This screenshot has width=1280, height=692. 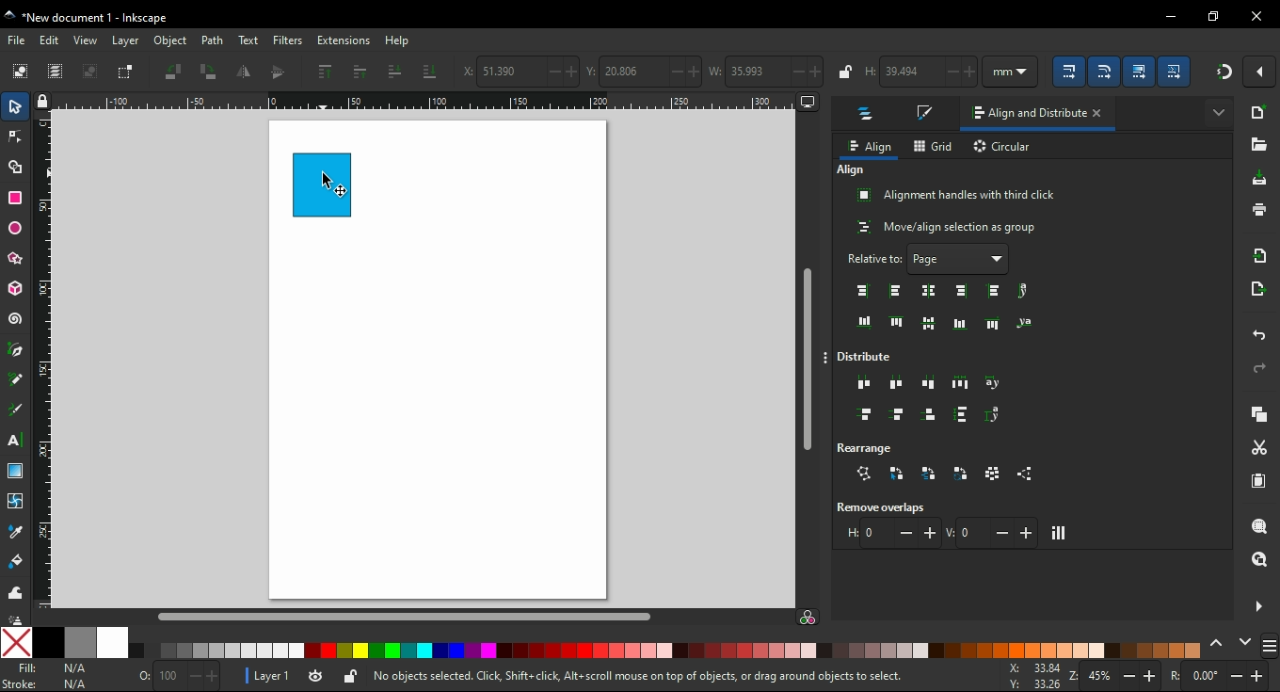 I want to click on undo, so click(x=1261, y=337).